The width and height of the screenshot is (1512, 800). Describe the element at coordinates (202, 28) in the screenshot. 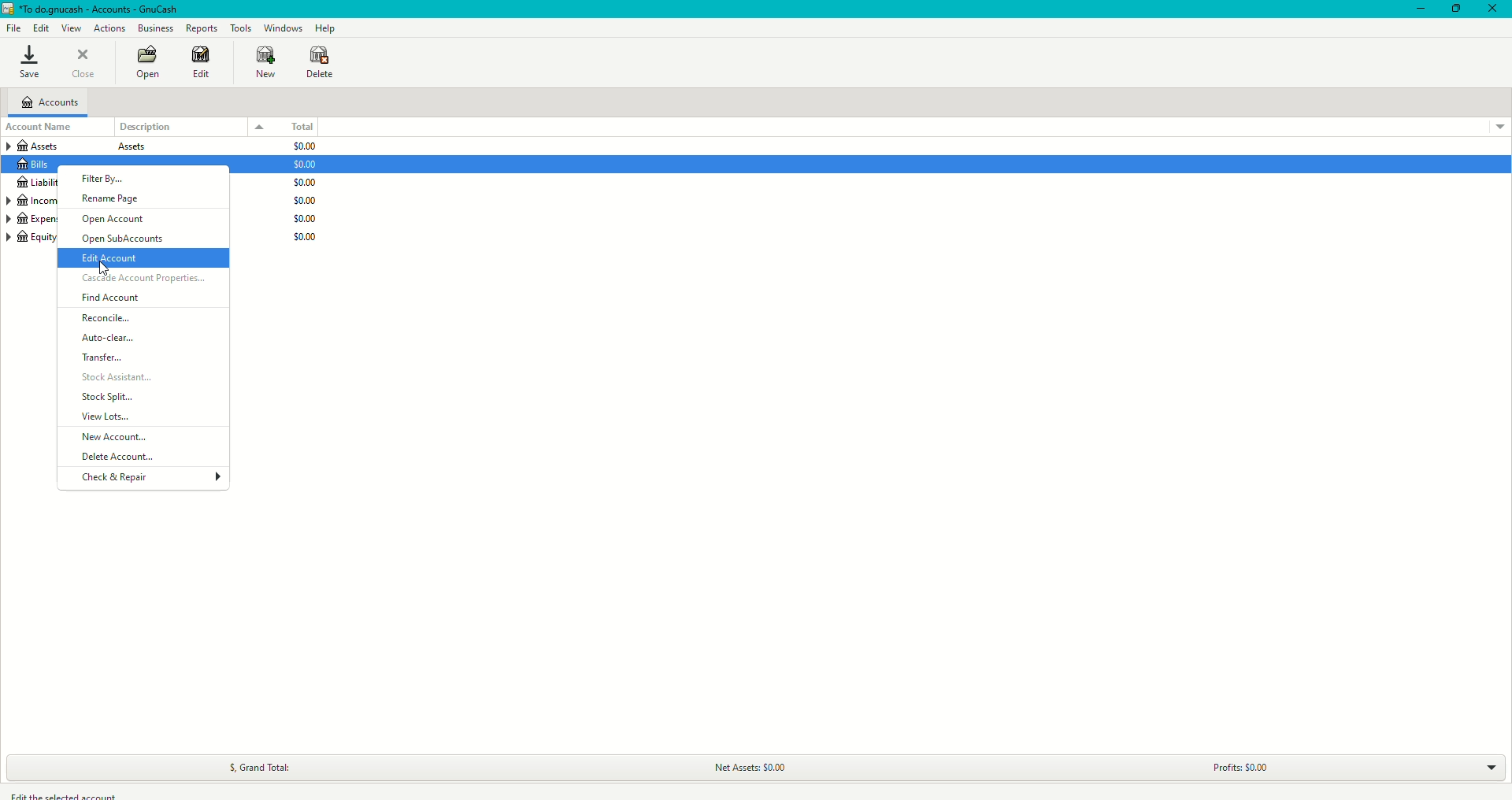

I see `Reports` at that location.